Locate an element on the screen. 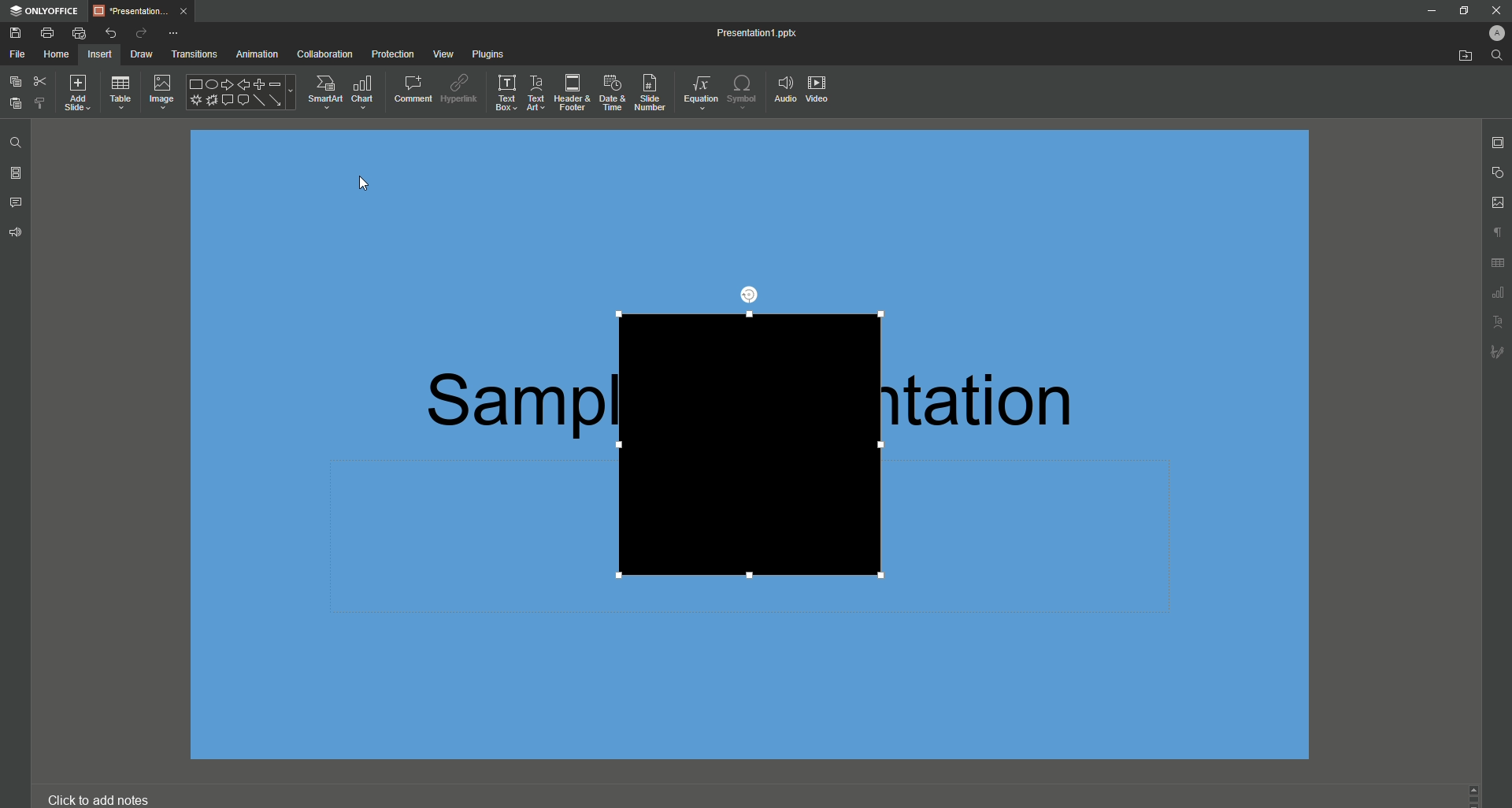 Image resolution: width=1512 pixels, height=808 pixels. Choose Styling is located at coordinates (41, 105).